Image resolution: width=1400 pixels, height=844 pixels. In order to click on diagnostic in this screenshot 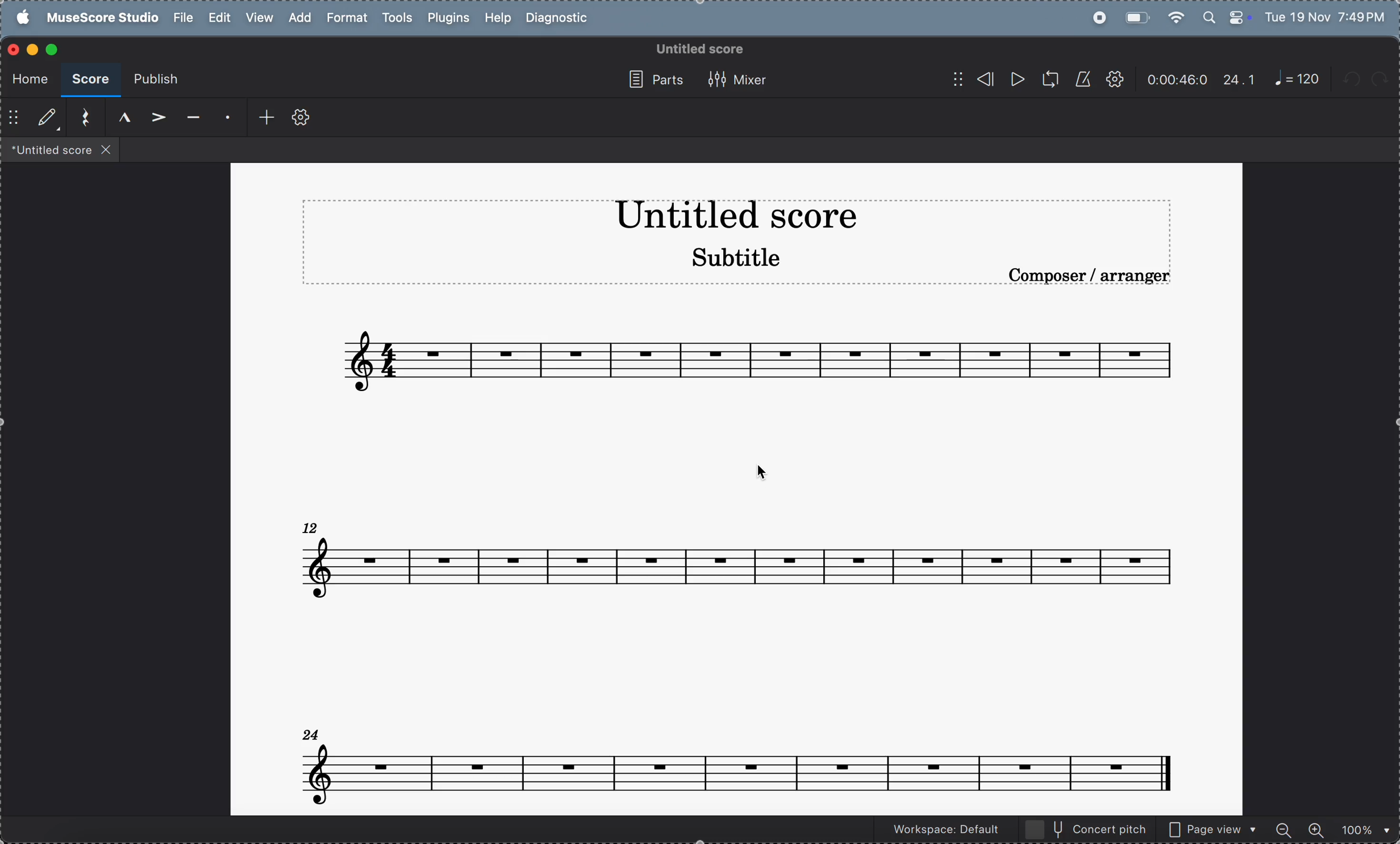, I will do `click(560, 19)`.